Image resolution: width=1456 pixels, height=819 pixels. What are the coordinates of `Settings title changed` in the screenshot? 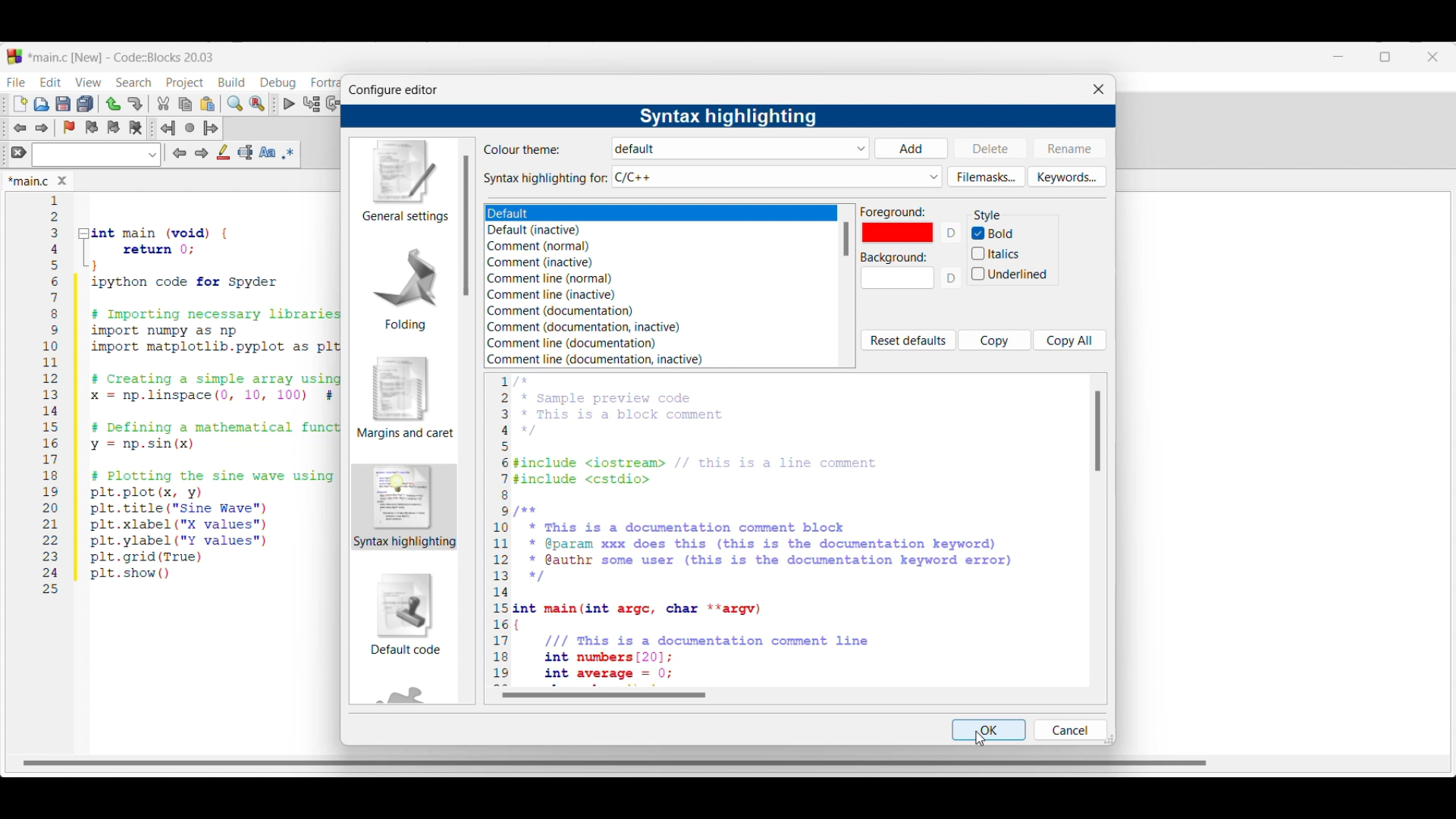 It's located at (727, 117).